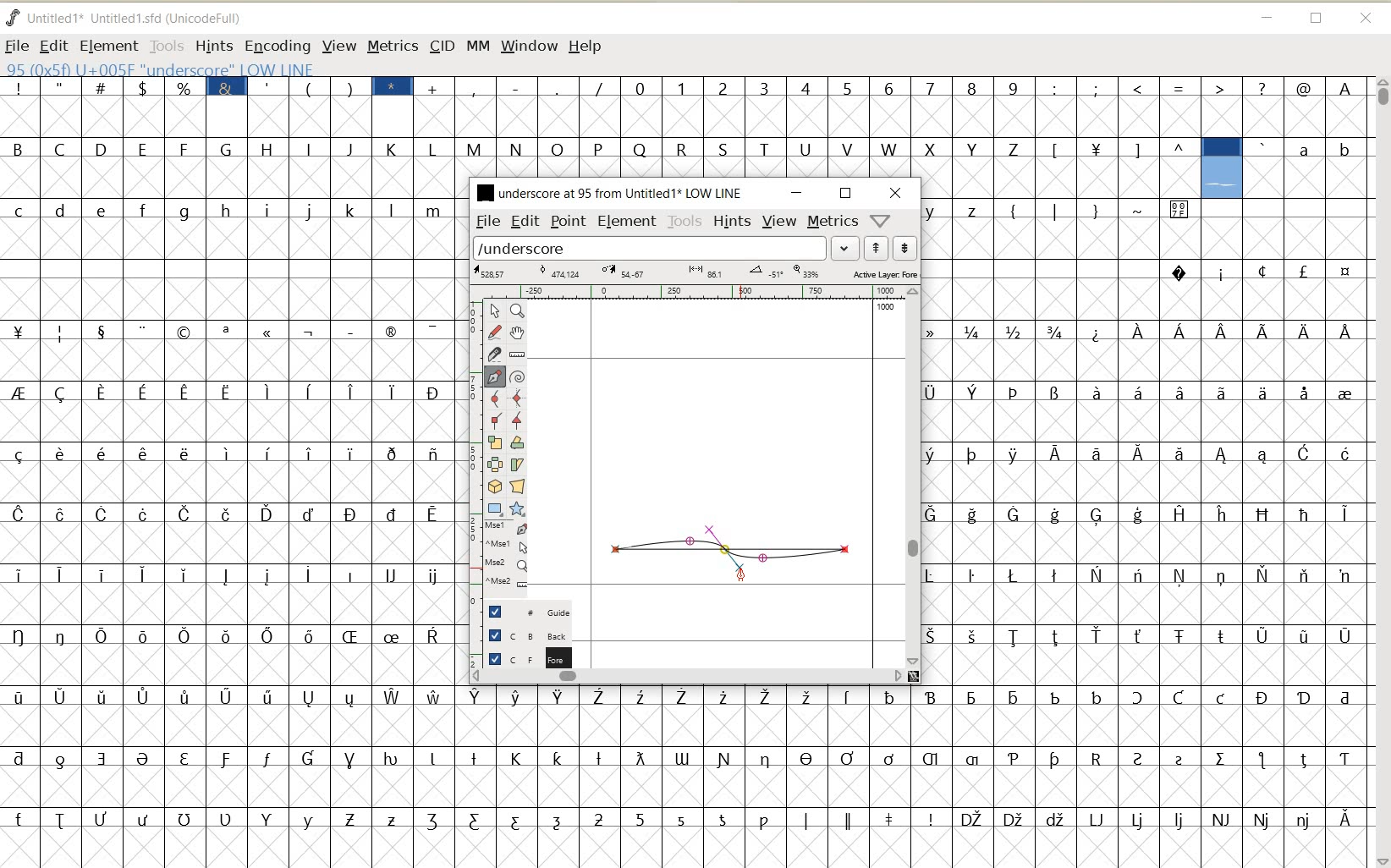 Image resolution: width=1391 pixels, height=868 pixels. Describe the element at coordinates (17, 46) in the screenshot. I see `FILE` at that location.